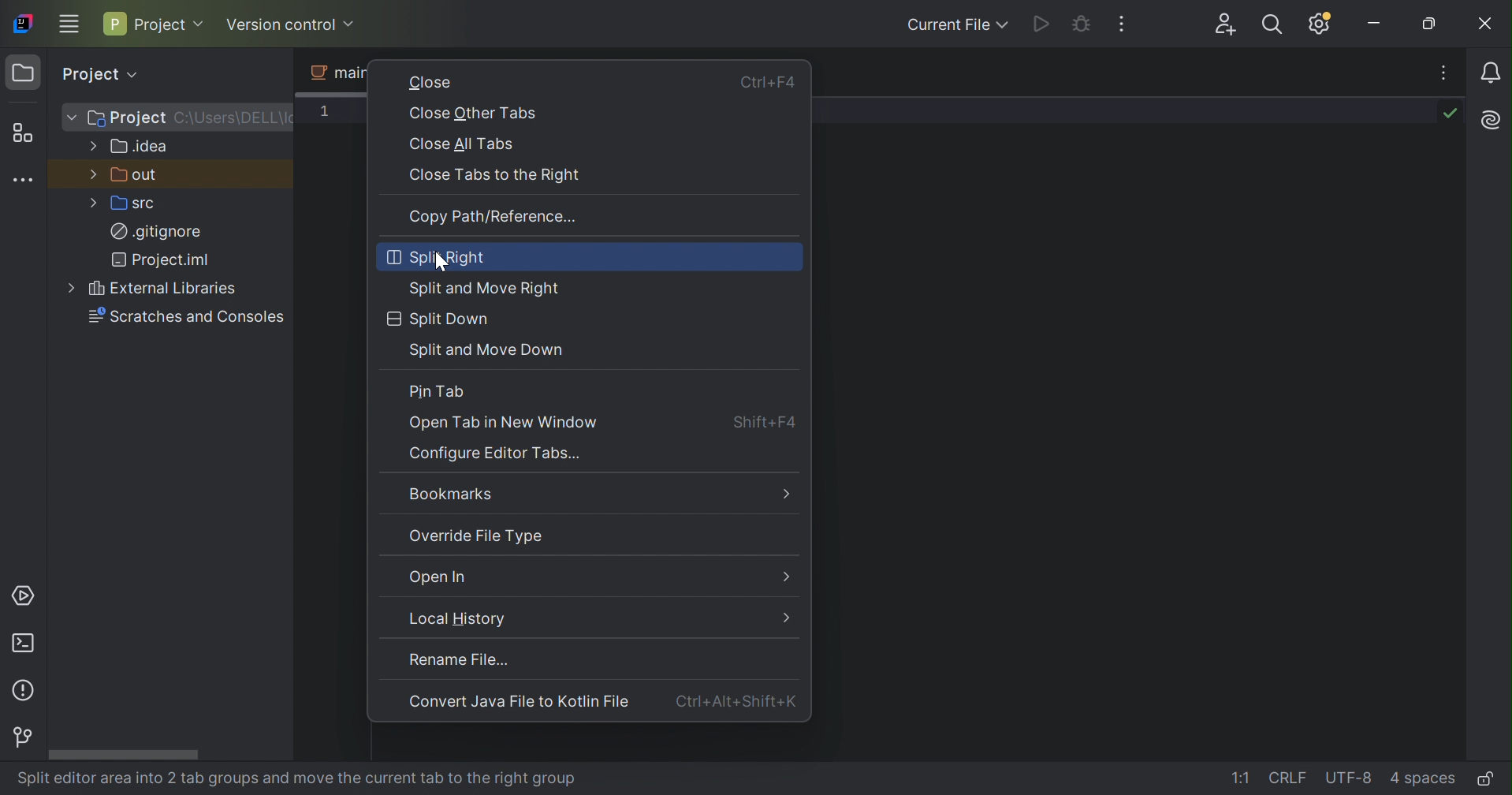 Image resolution: width=1512 pixels, height=795 pixels. I want to click on Run, so click(1045, 24).